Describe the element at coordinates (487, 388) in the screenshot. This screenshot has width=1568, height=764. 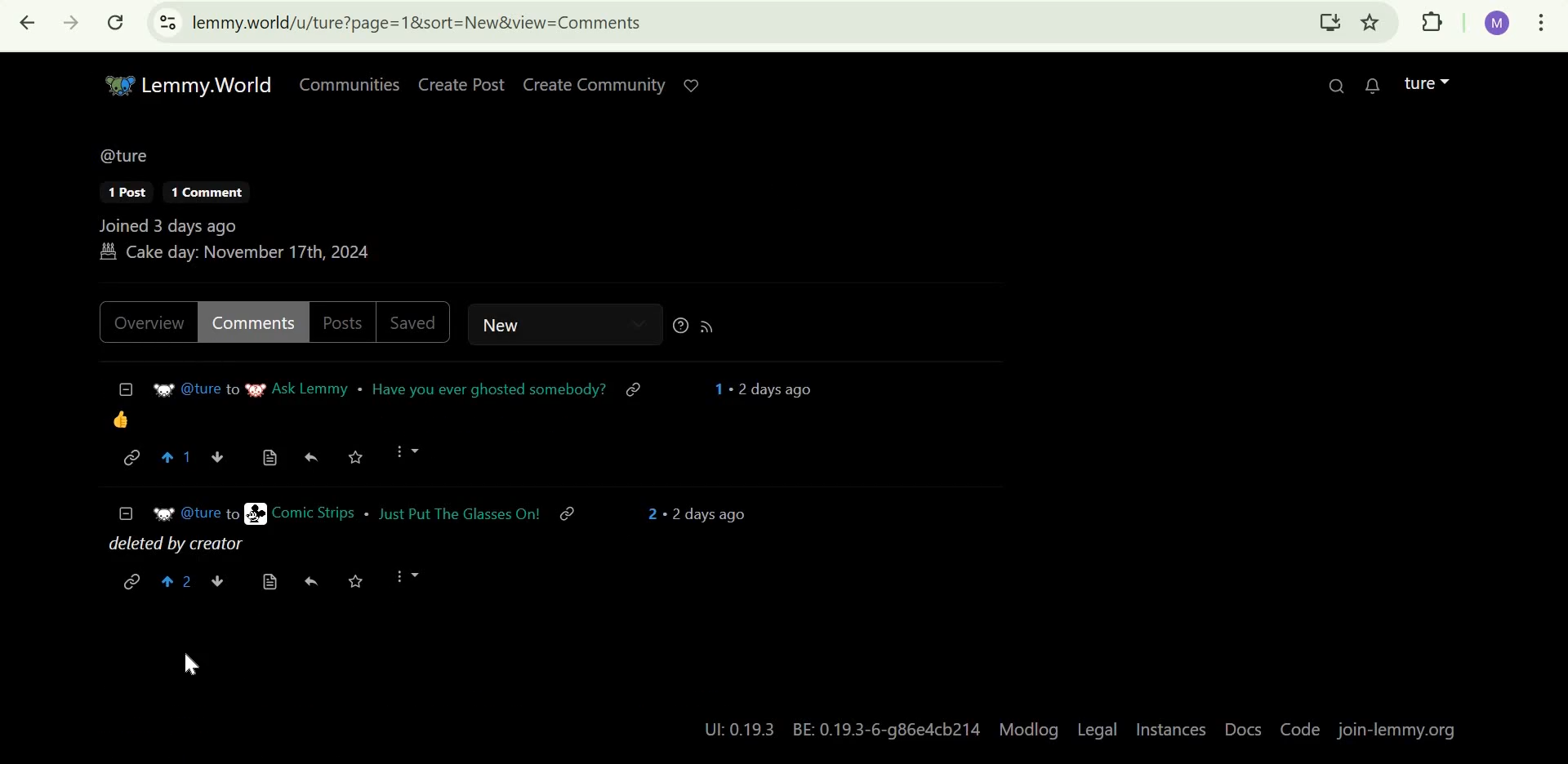
I see `post headline` at that location.